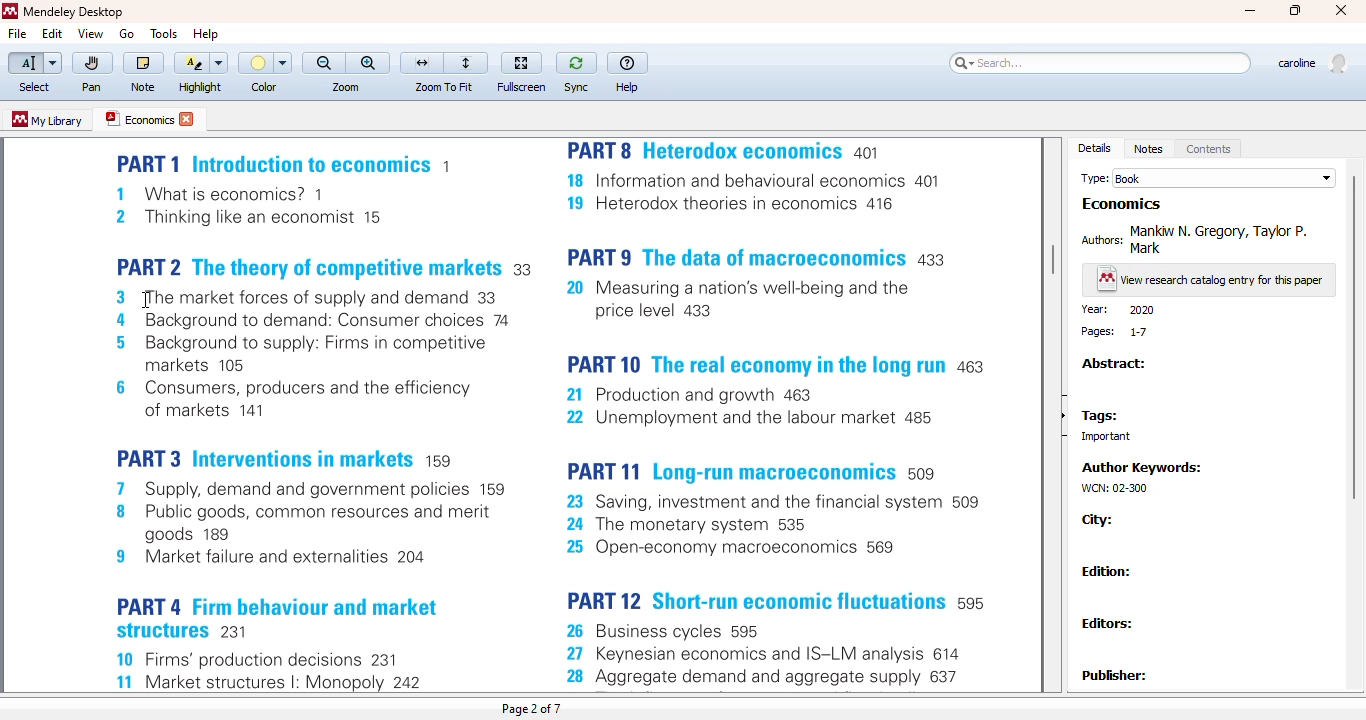 This screenshot has width=1366, height=720. What do you see at coordinates (1246, 13) in the screenshot?
I see `minimize` at bounding box center [1246, 13].